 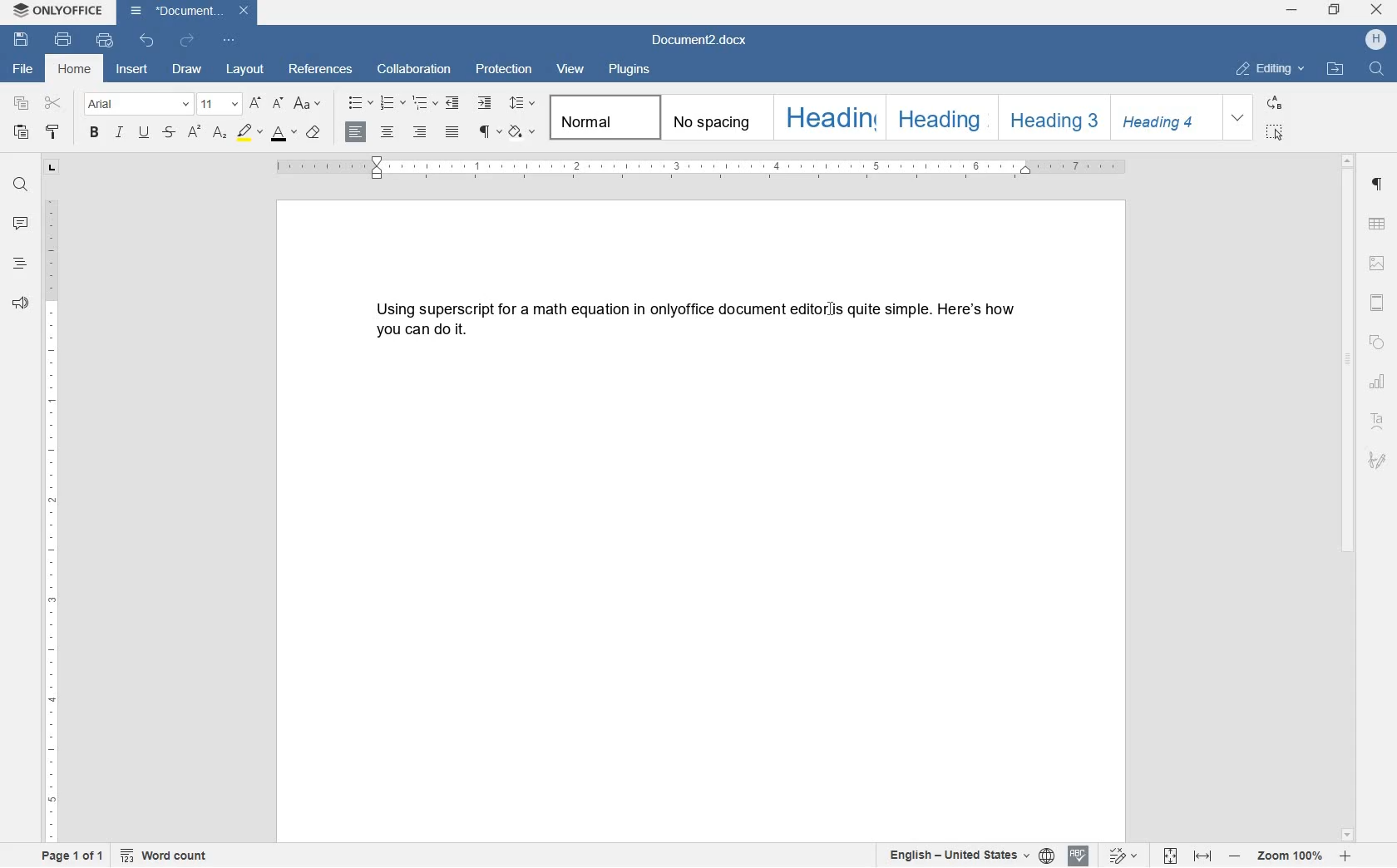 I want to click on HEADING 4, so click(x=1164, y=118).